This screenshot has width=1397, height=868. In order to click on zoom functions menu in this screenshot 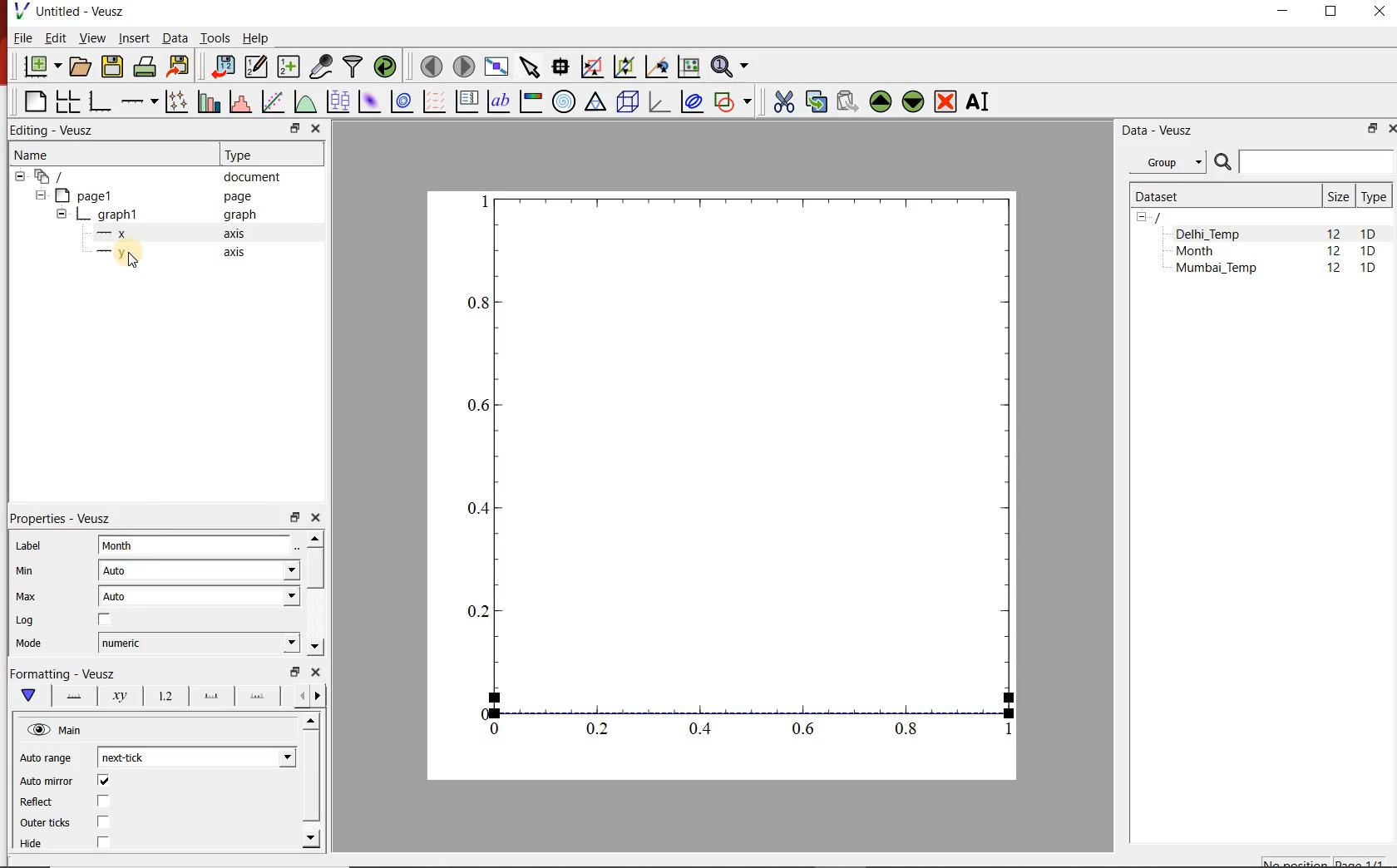, I will do `click(732, 67)`.